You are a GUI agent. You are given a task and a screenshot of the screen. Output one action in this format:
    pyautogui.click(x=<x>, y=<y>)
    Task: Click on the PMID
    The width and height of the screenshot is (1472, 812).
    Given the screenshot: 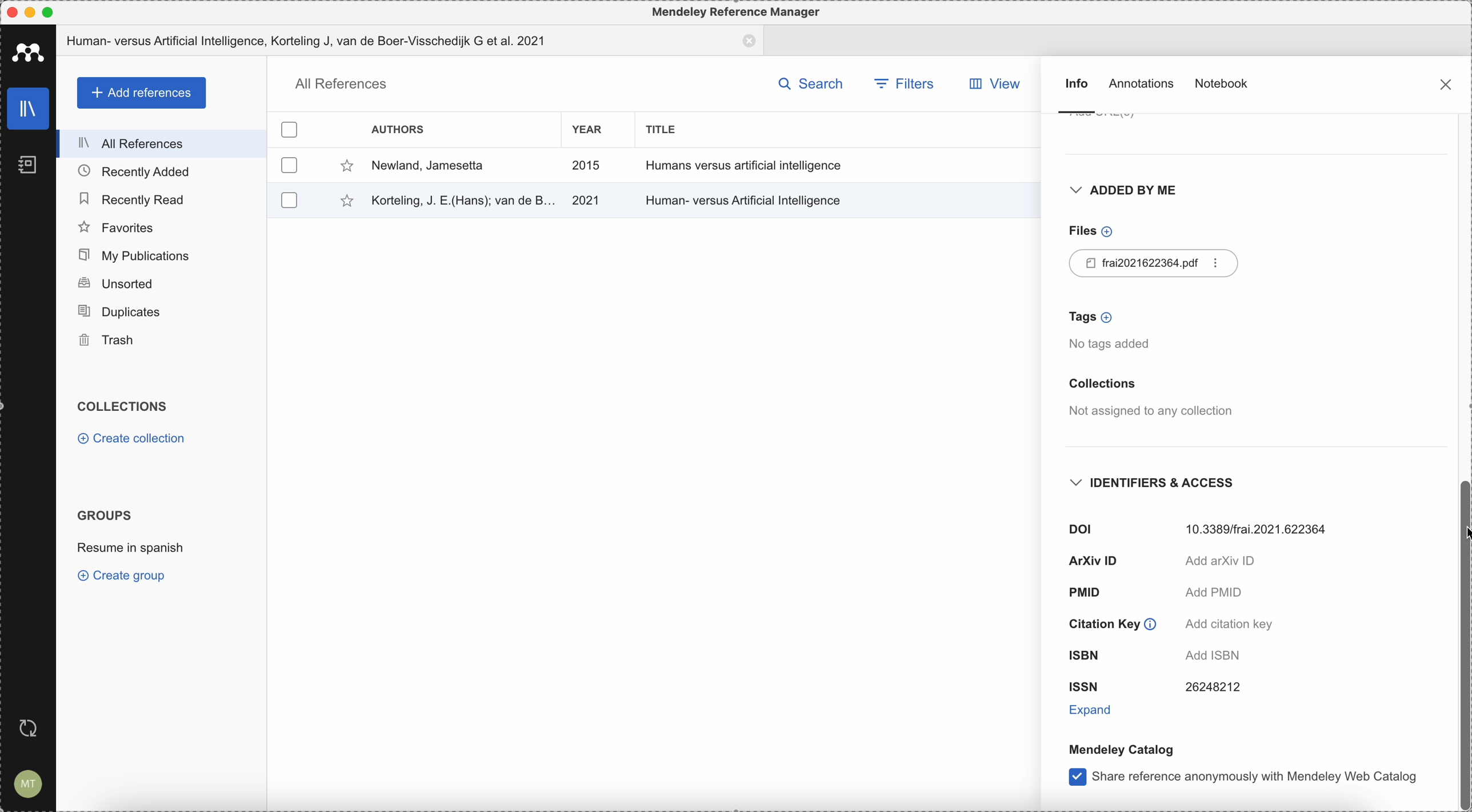 What is the action you would take?
    pyautogui.click(x=1154, y=594)
    